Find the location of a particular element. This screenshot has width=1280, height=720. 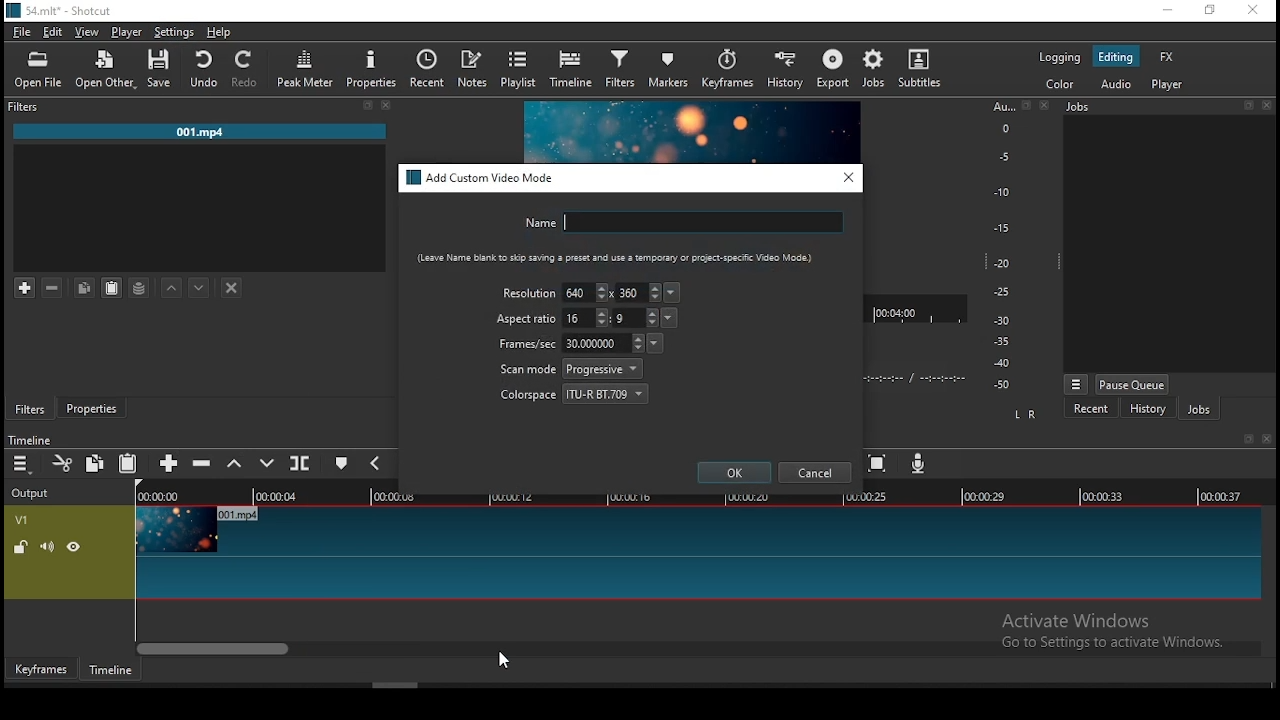

open file is located at coordinates (38, 71).